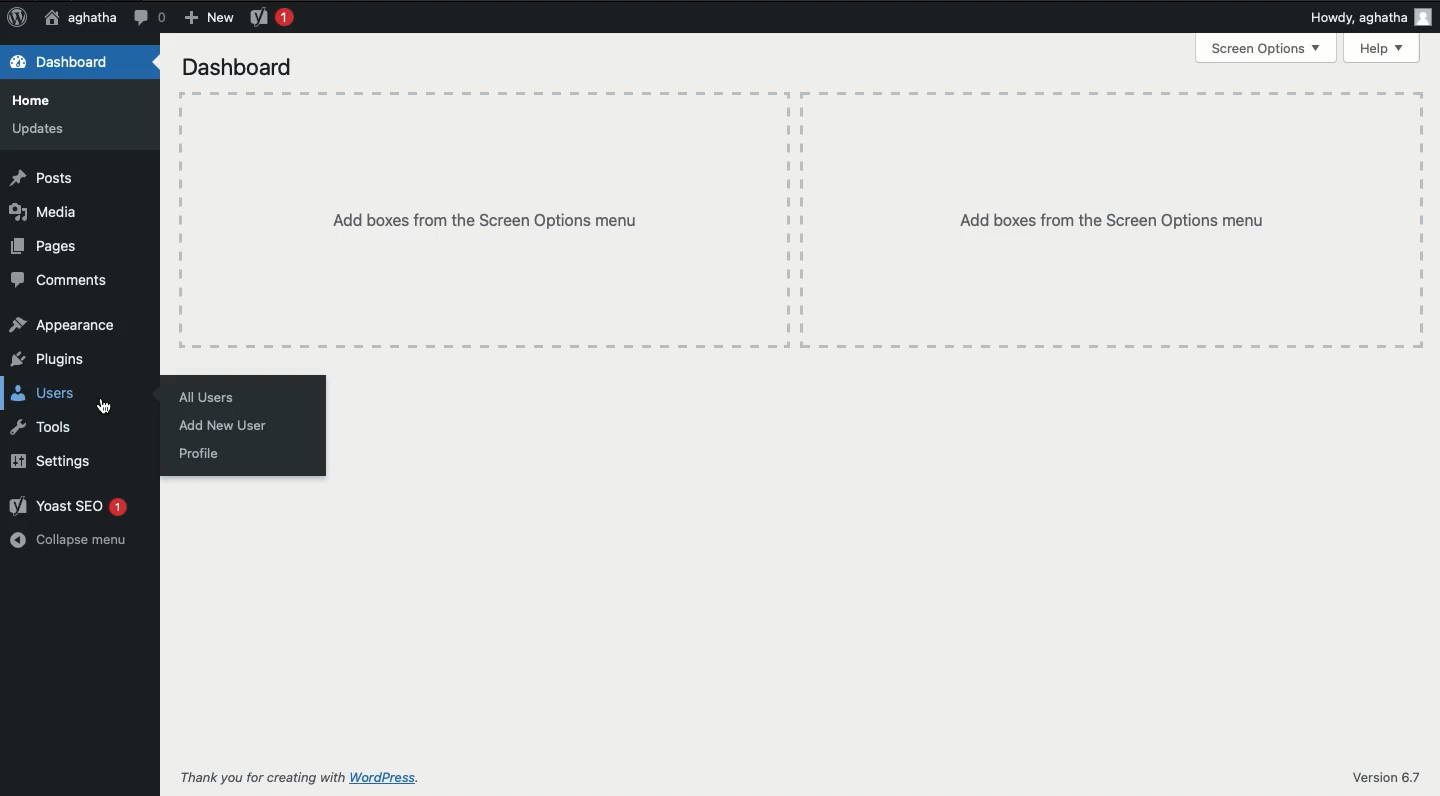 This screenshot has width=1440, height=796. Describe the element at coordinates (210, 396) in the screenshot. I see `All users` at that location.